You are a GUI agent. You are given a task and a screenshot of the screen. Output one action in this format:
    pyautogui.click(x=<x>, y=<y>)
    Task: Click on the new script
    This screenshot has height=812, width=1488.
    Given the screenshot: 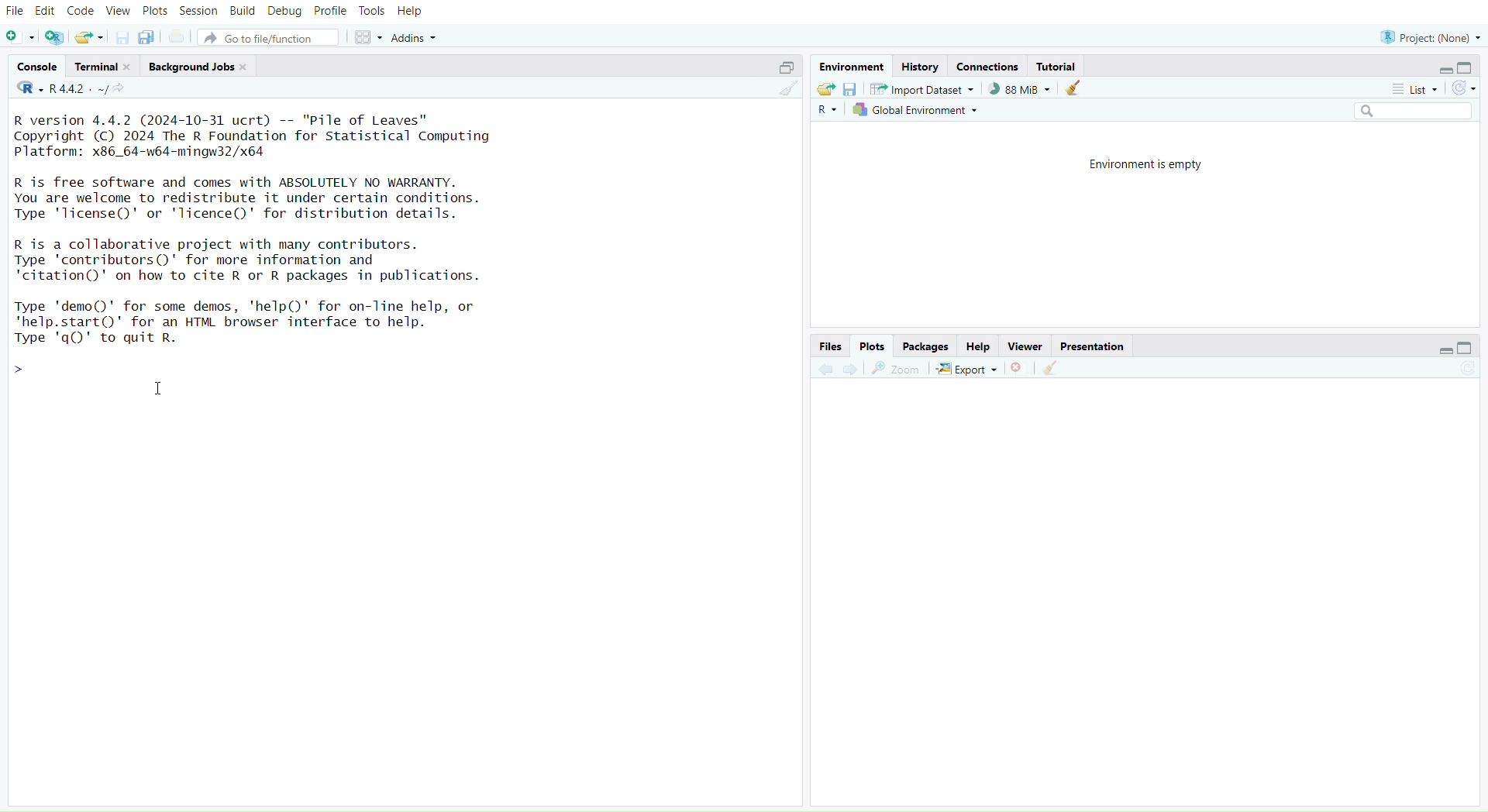 What is the action you would take?
    pyautogui.click(x=20, y=39)
    